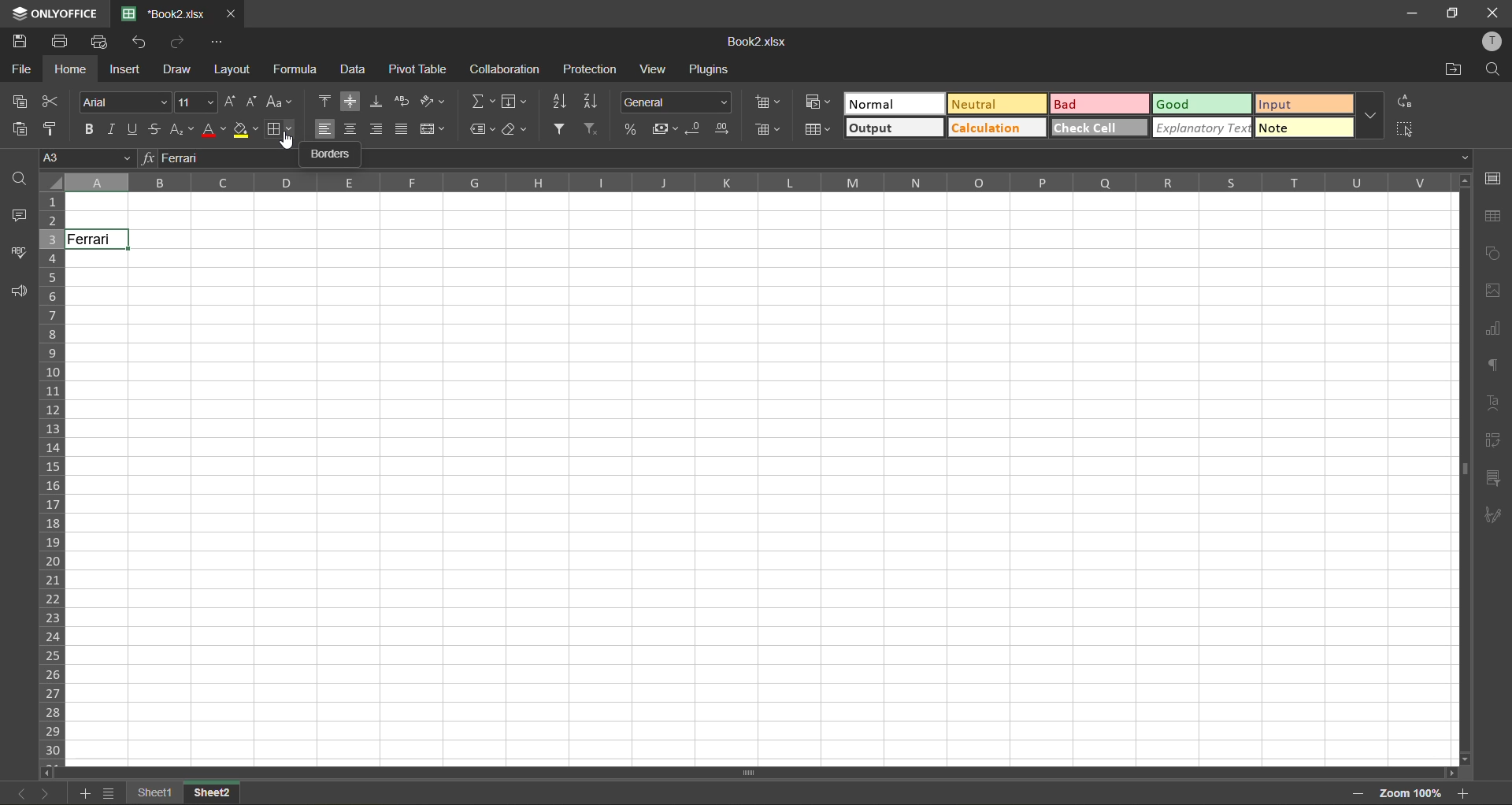 The height and width of the screenshot is (805, 1512). Describe the element at coordinates (52, 480) in the screenshot. I see `row numbers` at that location.